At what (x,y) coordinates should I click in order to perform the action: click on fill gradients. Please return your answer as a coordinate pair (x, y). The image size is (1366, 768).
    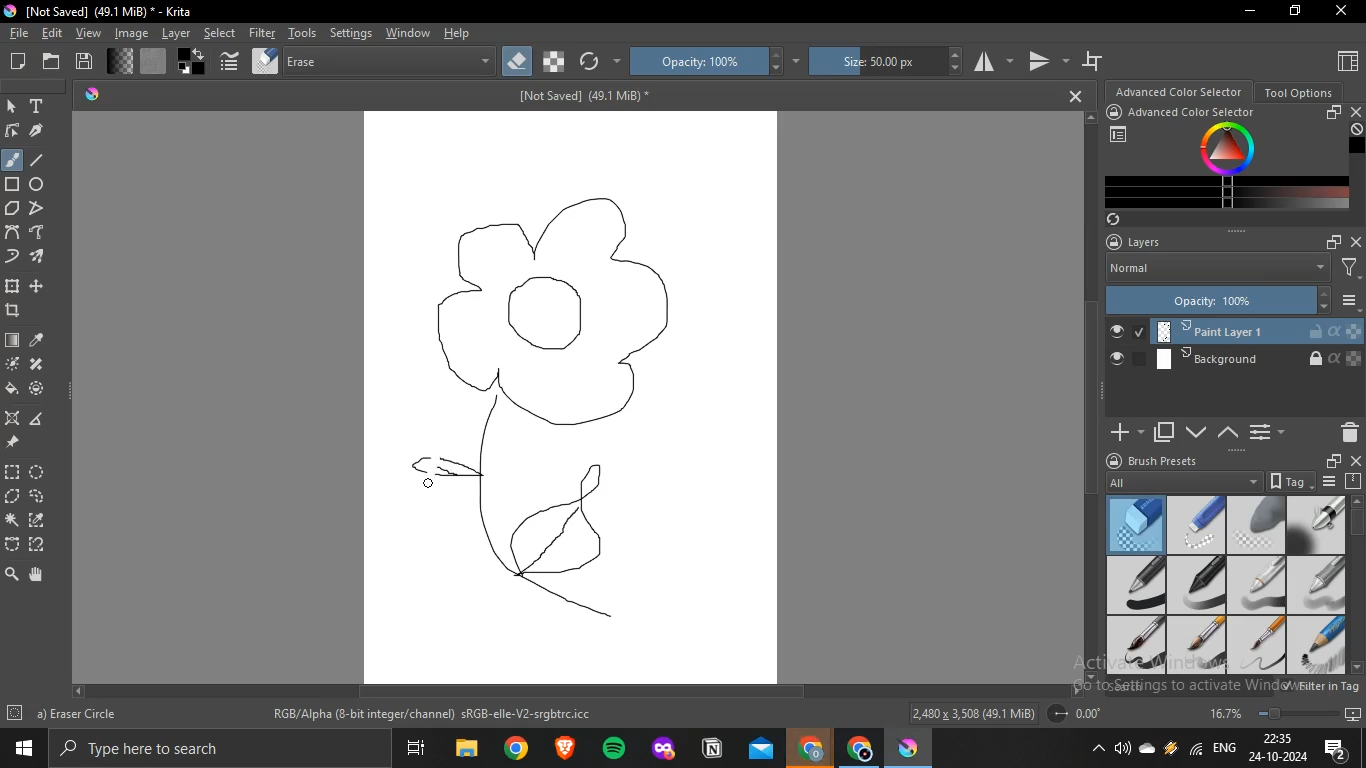
    Looking at the image, I should click on (122, 62).